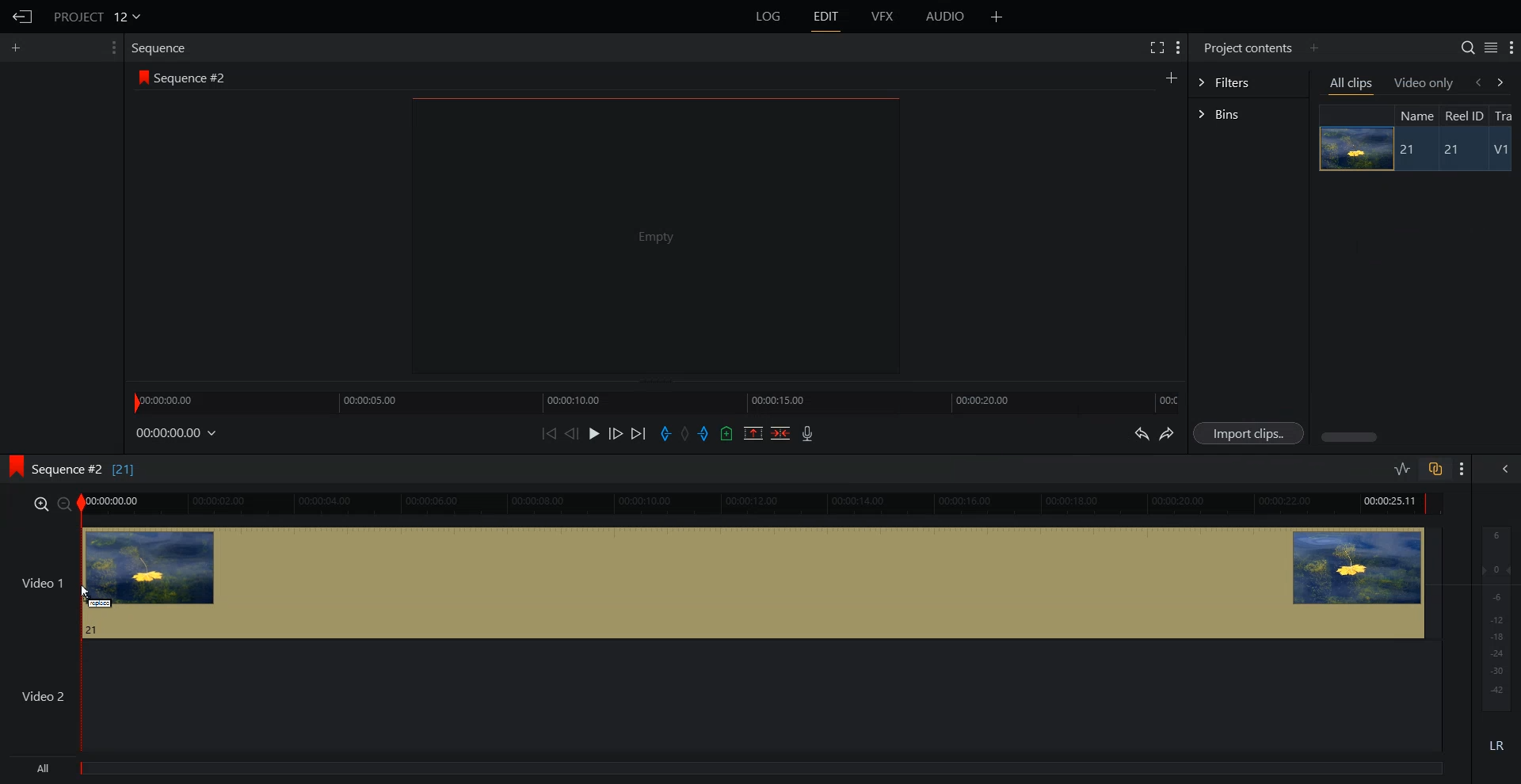 The image size is (1521, 784). I want to click on Add Panel, so click(1313, 48).